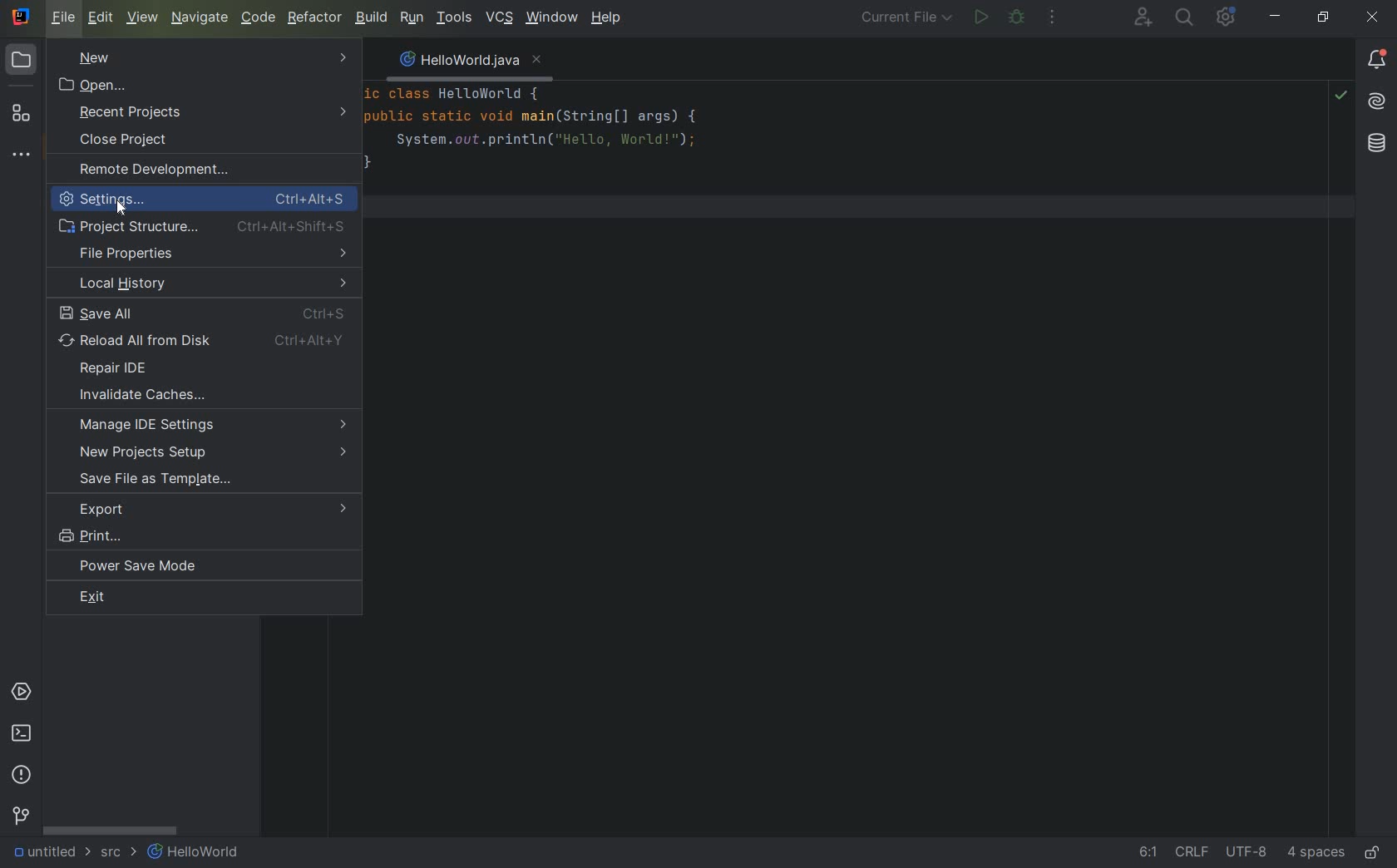 This screenshot has height=868, width=1397. Describe the element at coordinates (215, 113) in the screenshot. I see `RECENT PROJECTS` at that location.